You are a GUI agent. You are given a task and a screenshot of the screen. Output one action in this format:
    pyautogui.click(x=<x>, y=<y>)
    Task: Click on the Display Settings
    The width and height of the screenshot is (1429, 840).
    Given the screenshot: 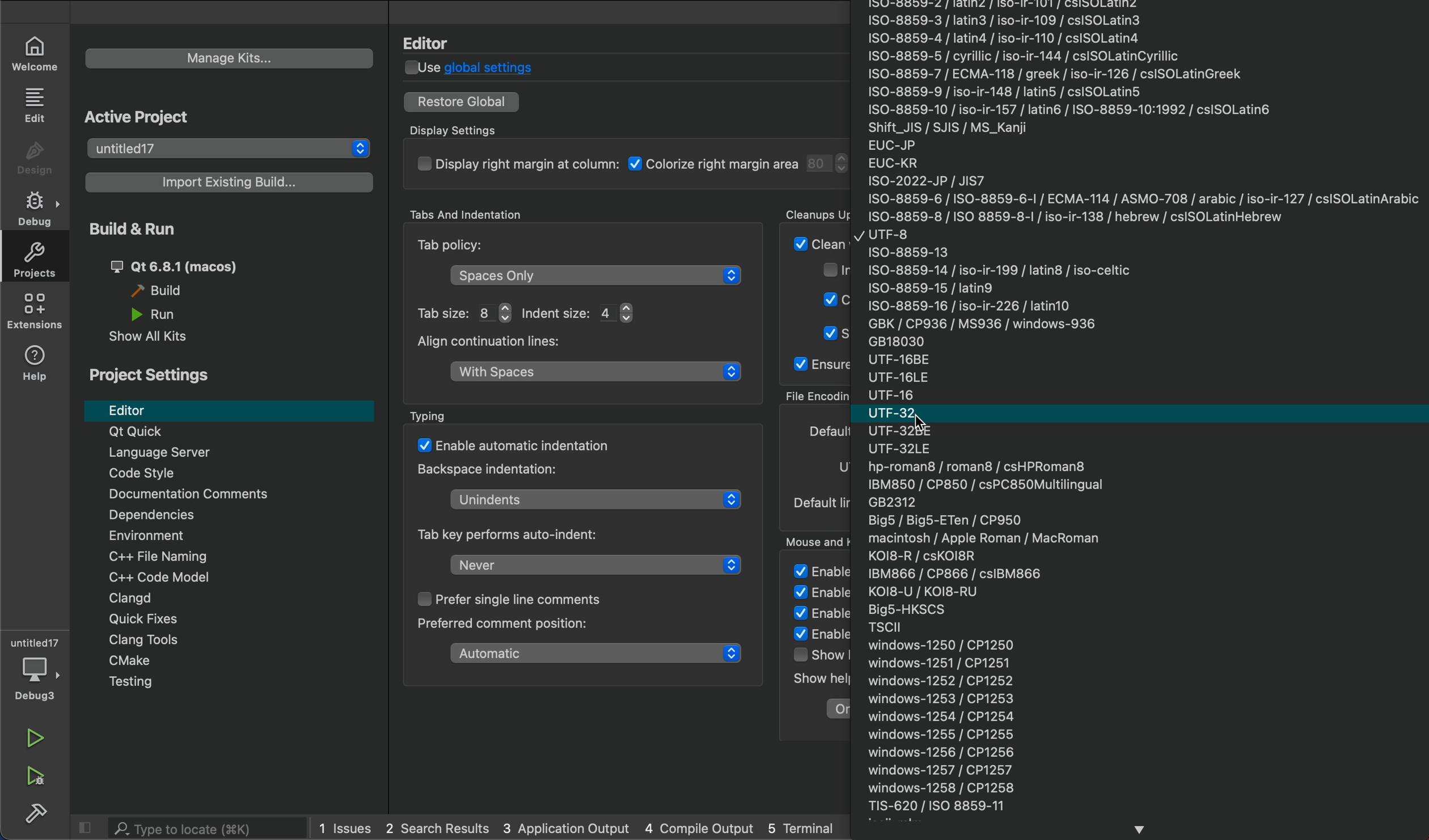 What is the action you would take?
    pyautogui.click(x=462, y=131)
    